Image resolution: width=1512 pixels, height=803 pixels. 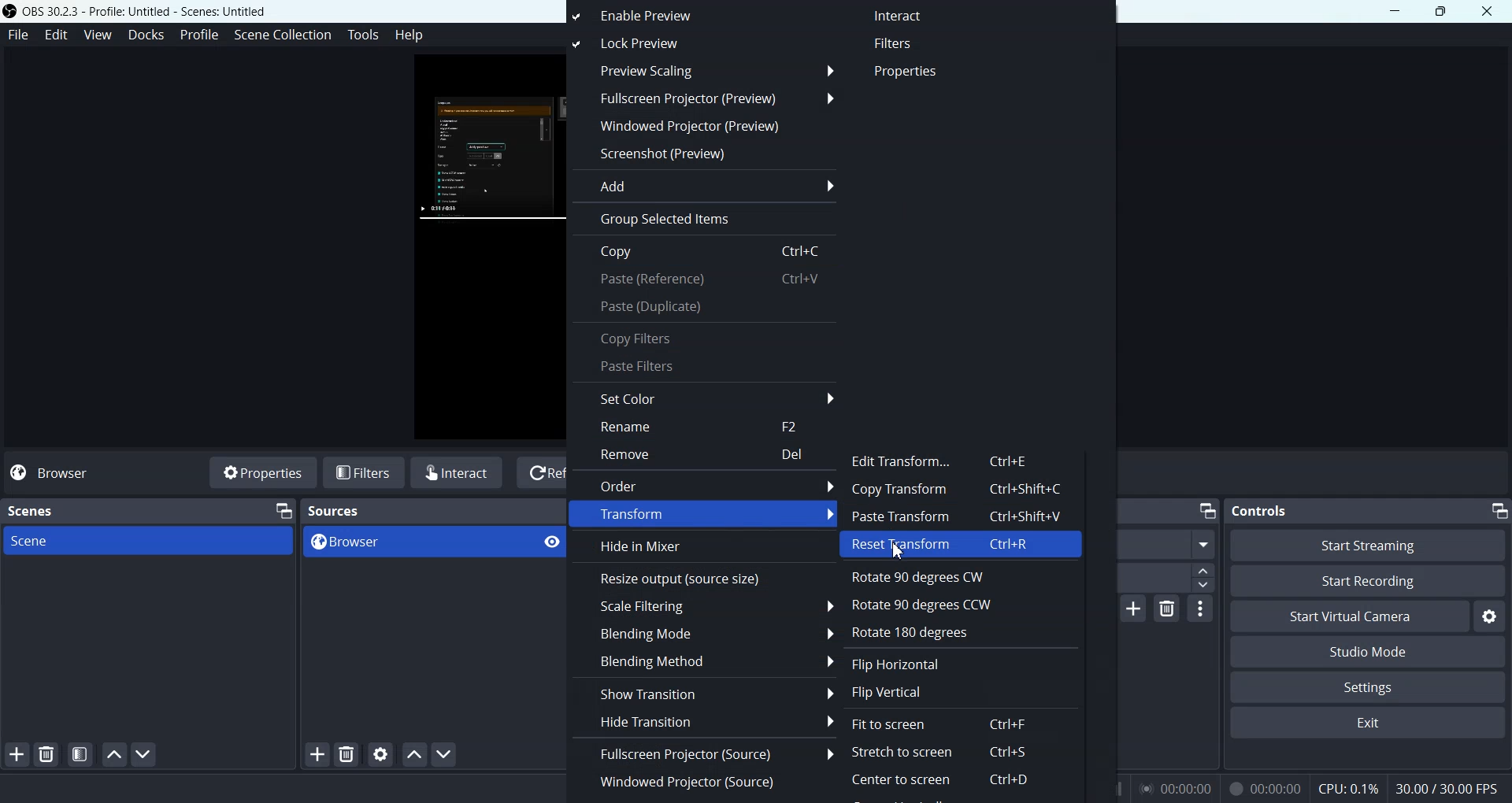 What do you see at coordinates (200, 35) in the screenshot?
I see `Profile` at bounding box center [200, 35].